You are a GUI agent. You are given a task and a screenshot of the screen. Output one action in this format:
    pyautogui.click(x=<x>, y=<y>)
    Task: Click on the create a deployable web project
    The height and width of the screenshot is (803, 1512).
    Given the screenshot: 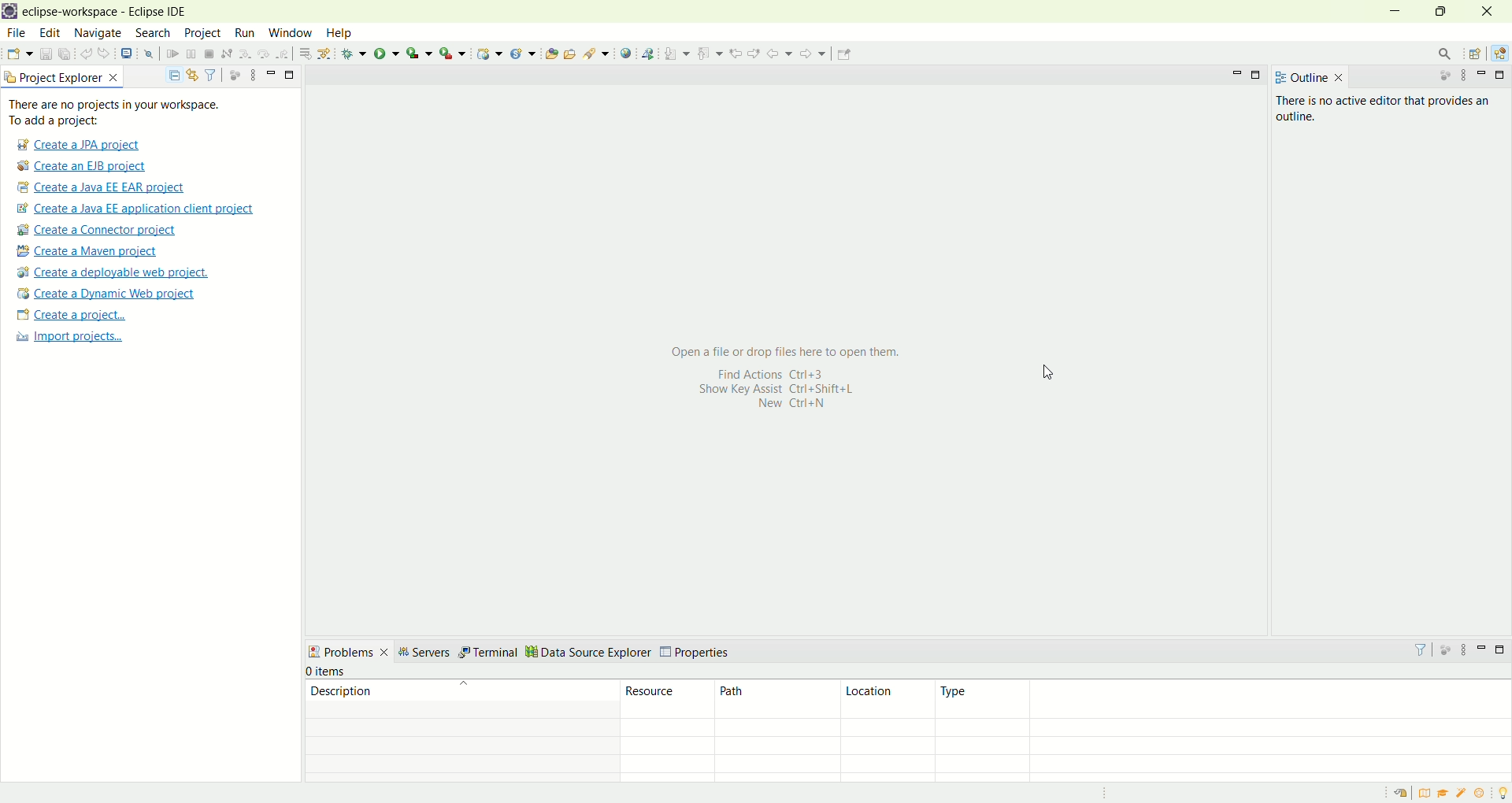 What is the action you would take?
    pyautogui.click(x=113, y=272)
    